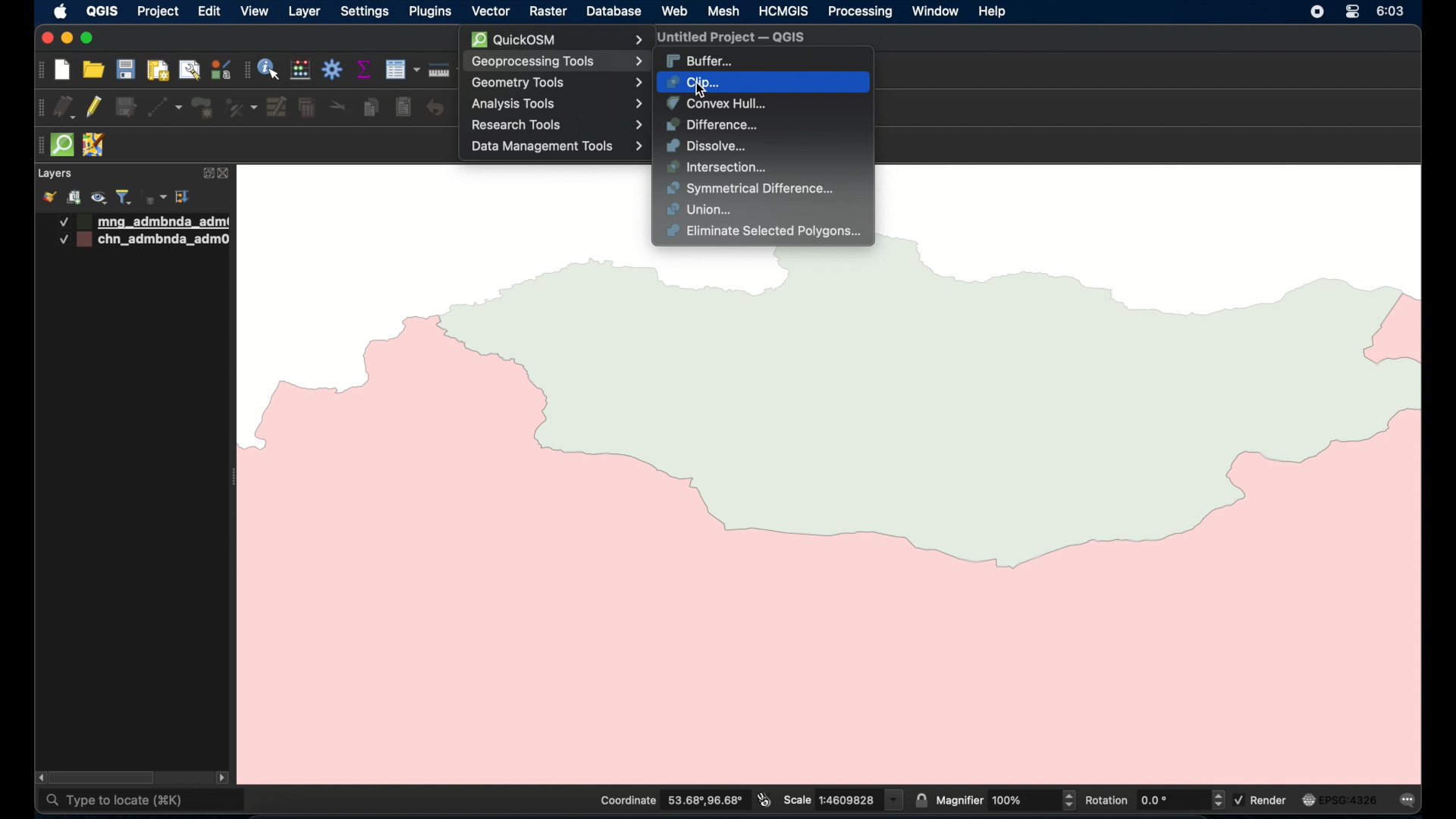  Describe the element at coordinates (145, 222) in the screenshot. I see `layer 1` at that location.